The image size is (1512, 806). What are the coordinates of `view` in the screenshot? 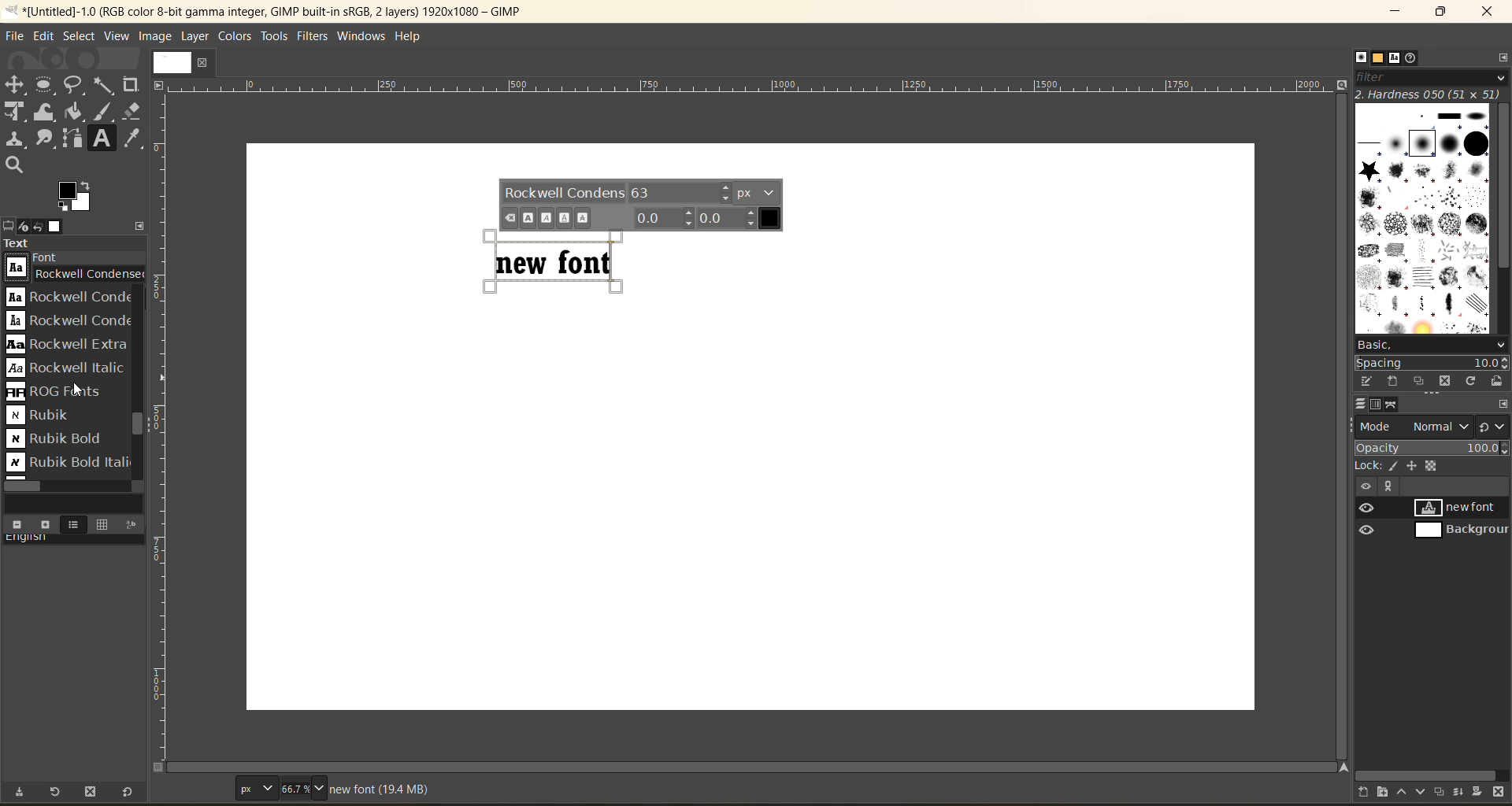 It's located at (117, 35).